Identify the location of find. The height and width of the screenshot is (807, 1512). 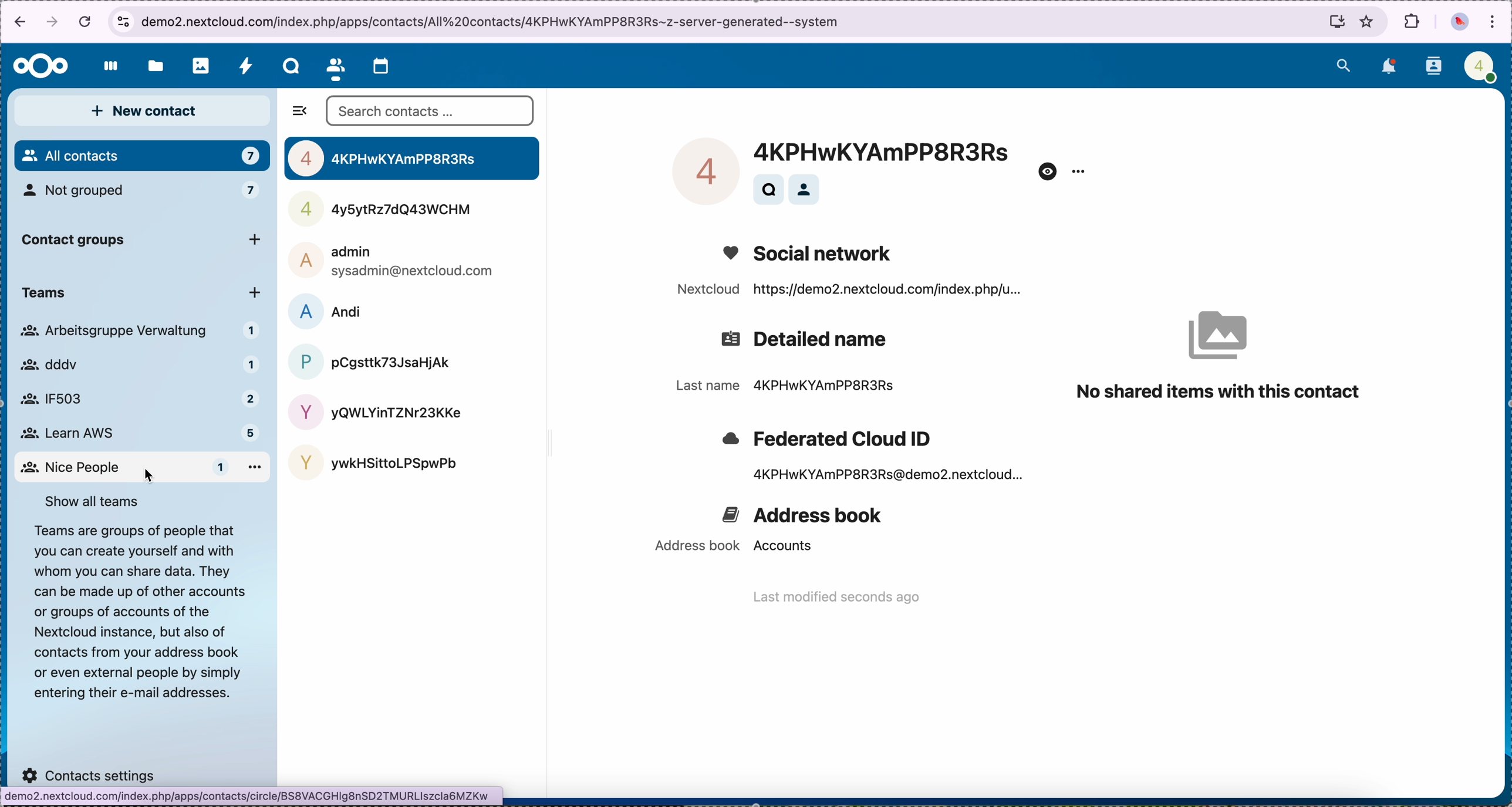
(768, 189).